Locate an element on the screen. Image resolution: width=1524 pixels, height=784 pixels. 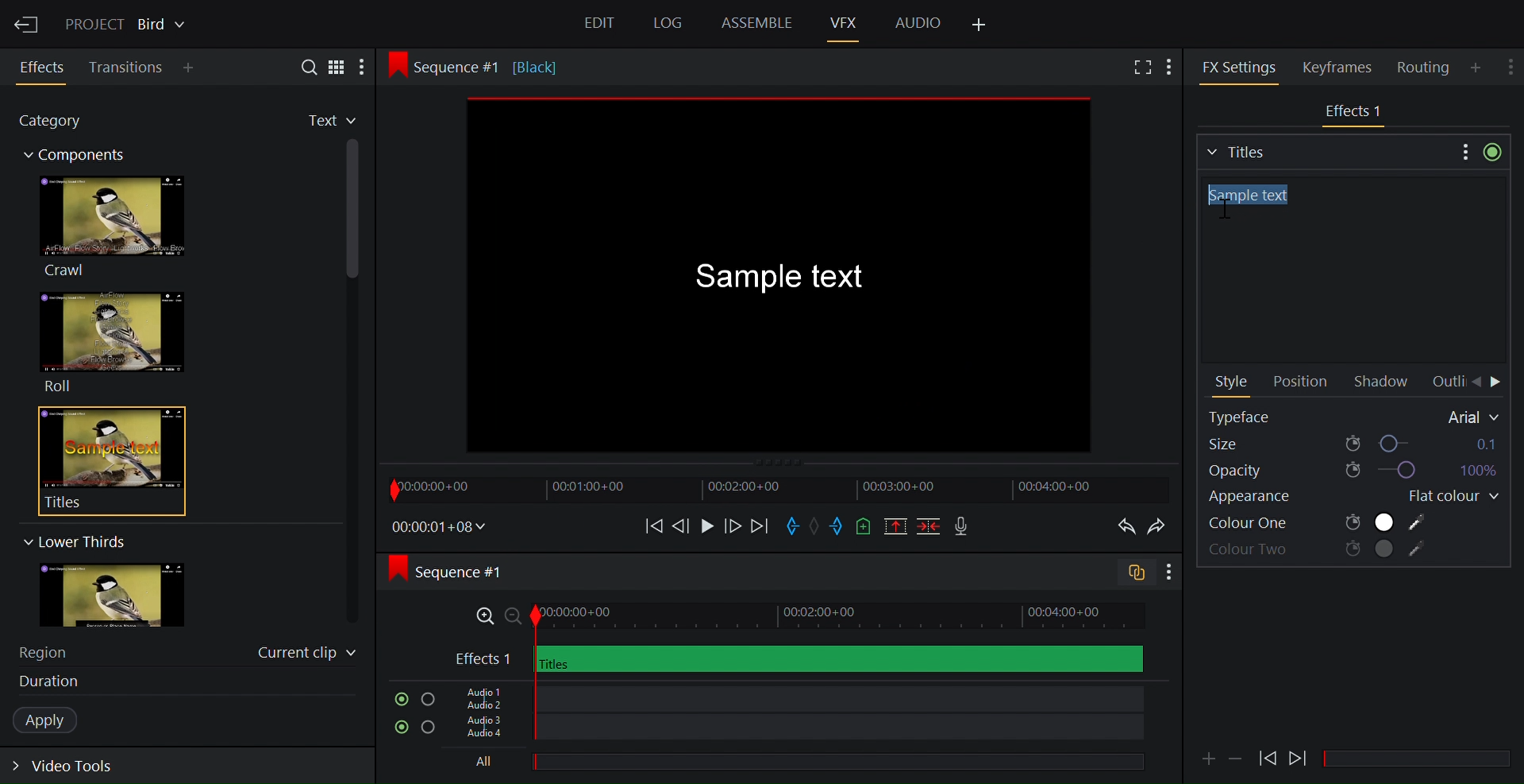
Titles is located at coordinates (102, 460).